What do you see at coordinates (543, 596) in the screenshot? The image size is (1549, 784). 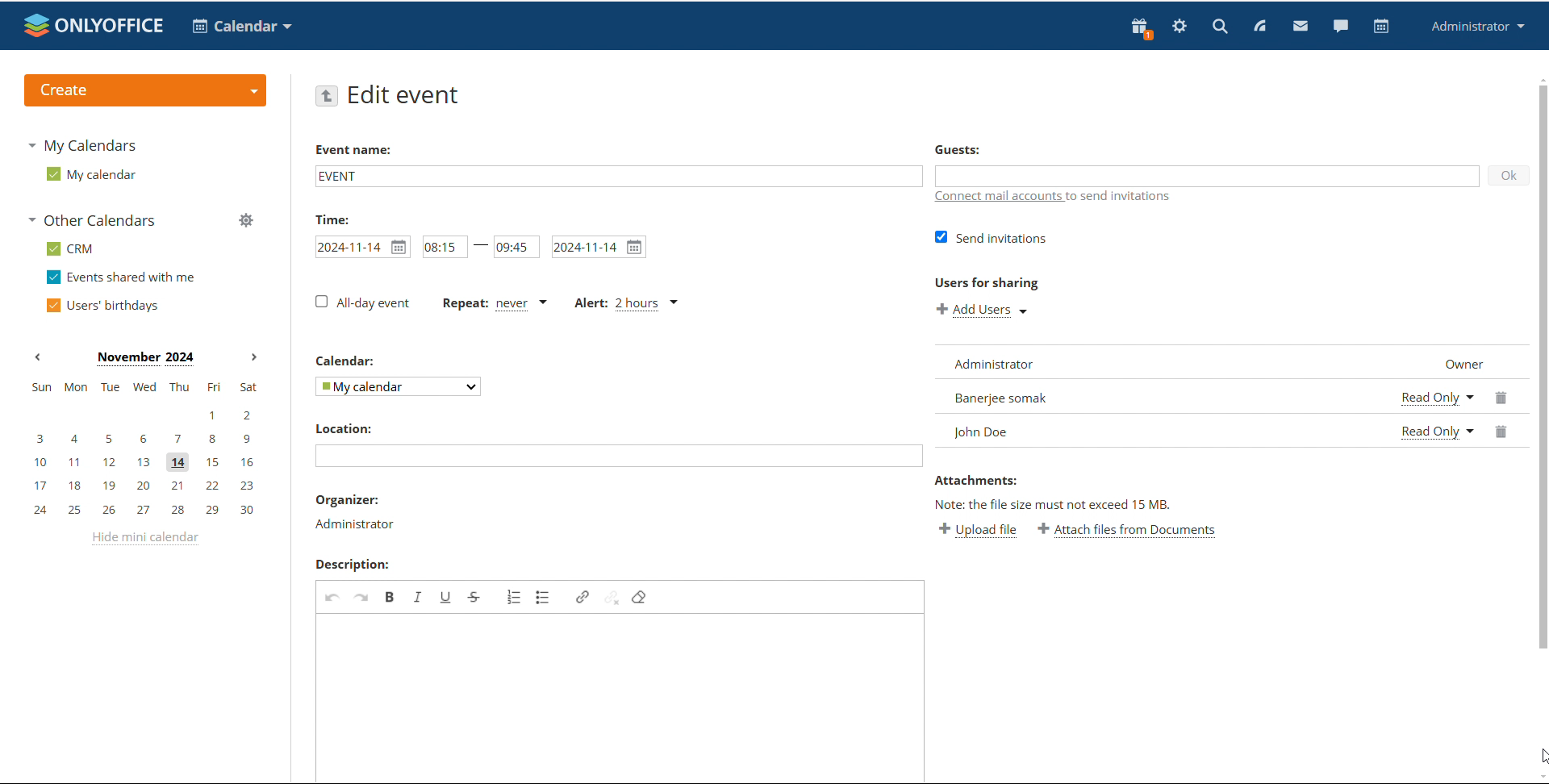 I see `insert/remove bulleted list` at bounding box center [543, 596].